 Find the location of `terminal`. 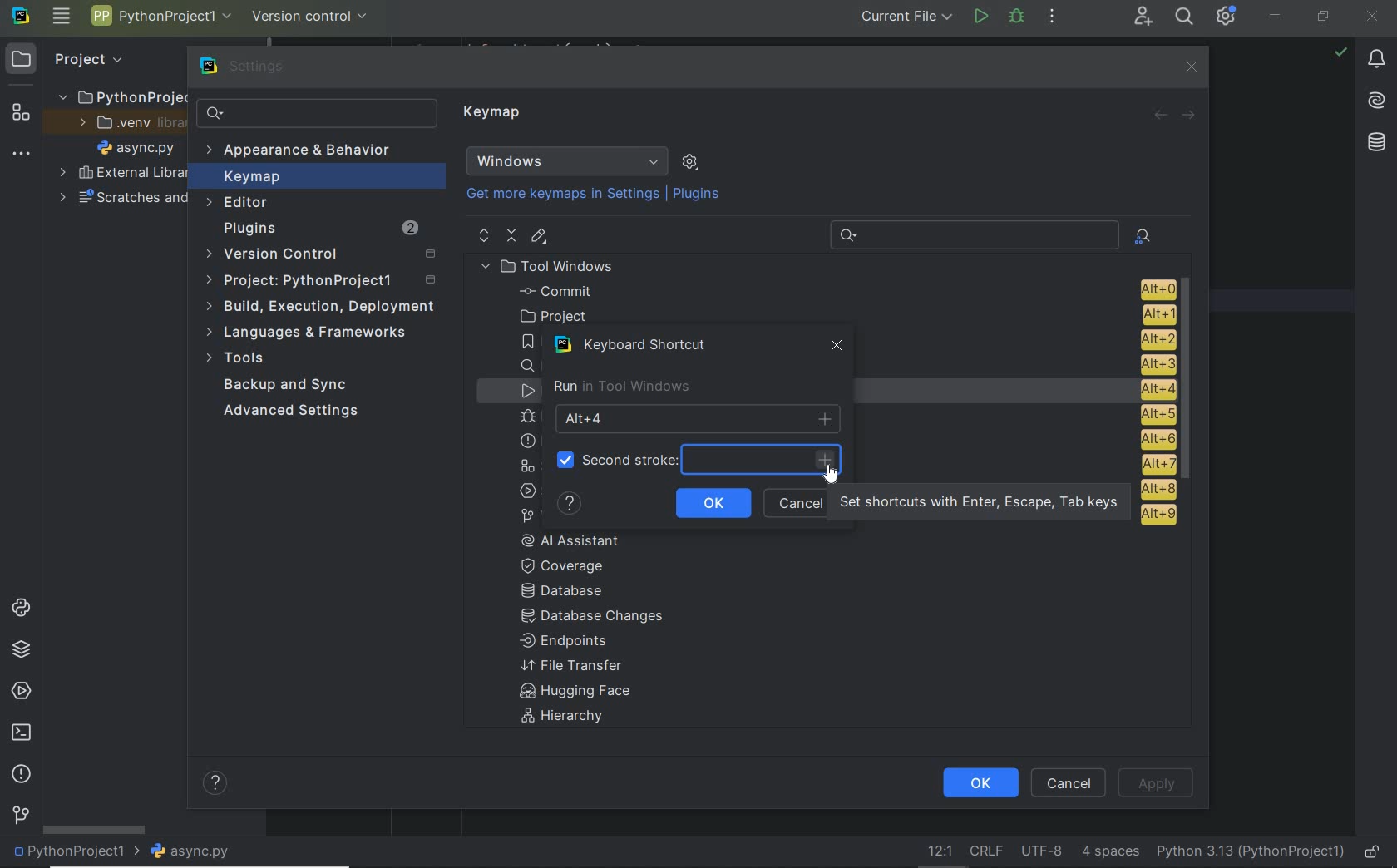

terminal is located at coordinates (20, 733).